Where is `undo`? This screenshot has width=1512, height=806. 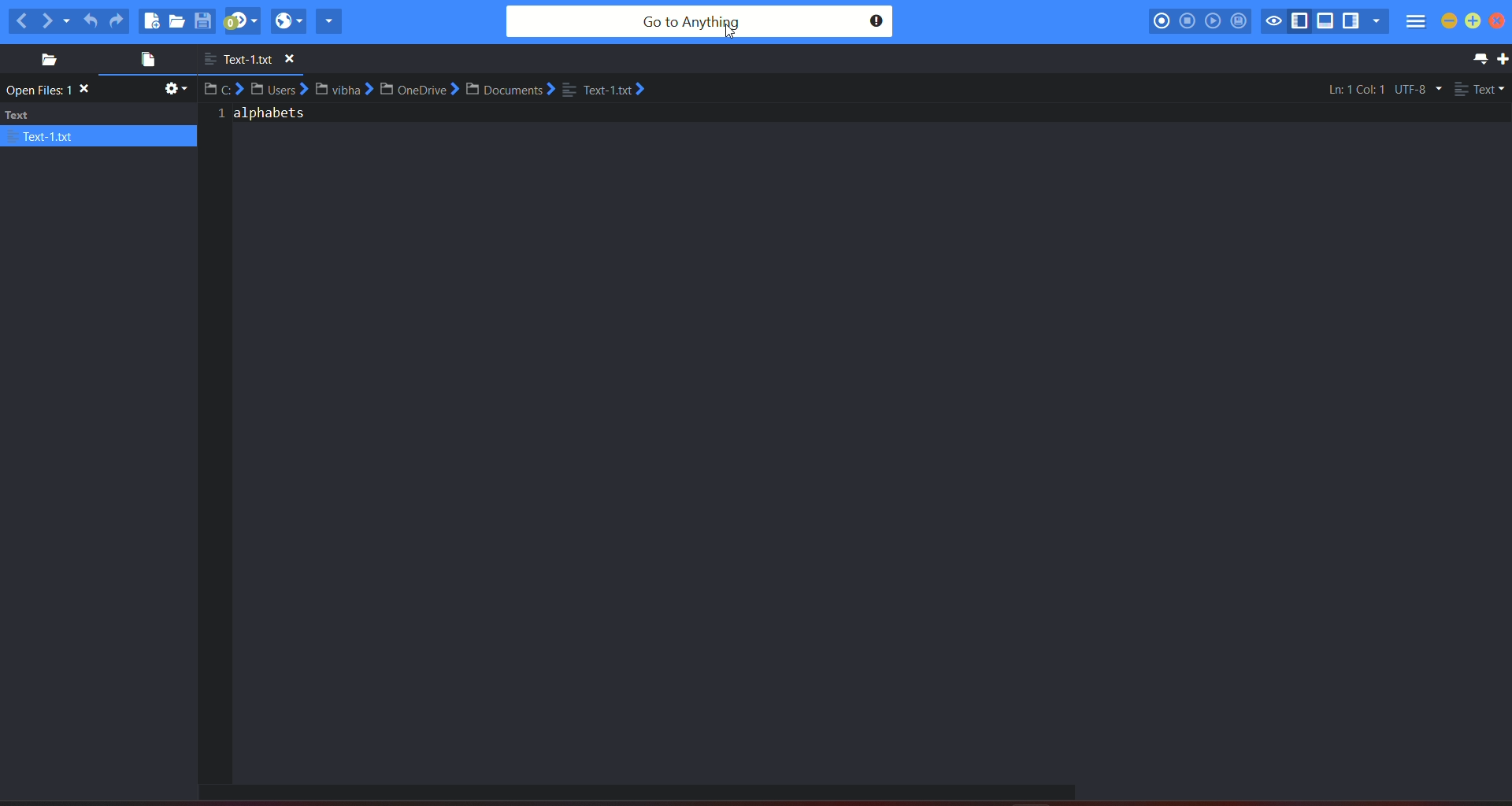 undo is located at coordinates (91, 18).